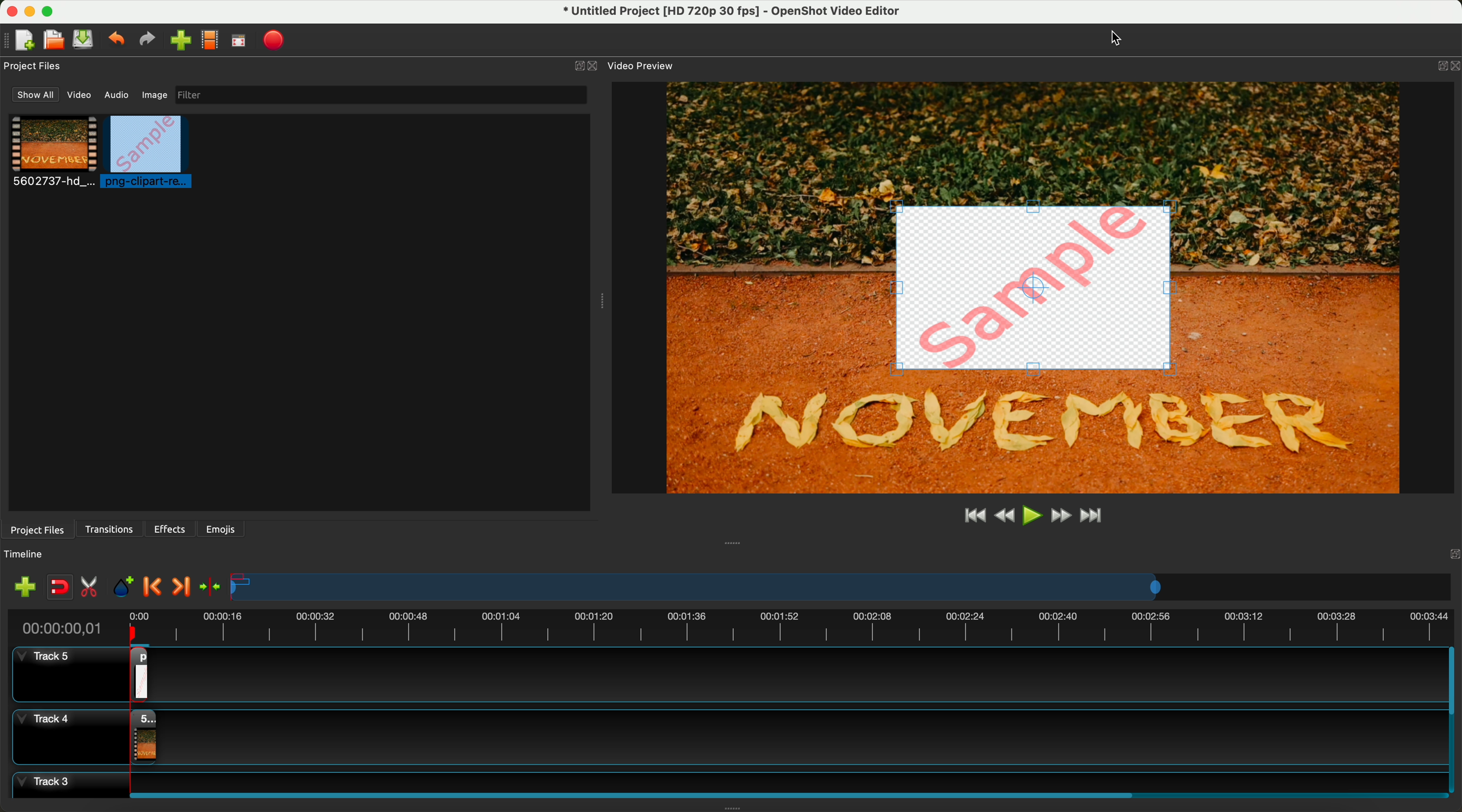 The width and height of the screenshot is (1462, 812). Describe the element at coordinates (156, 587) in the screenshot. I see `previous marker` at that location.